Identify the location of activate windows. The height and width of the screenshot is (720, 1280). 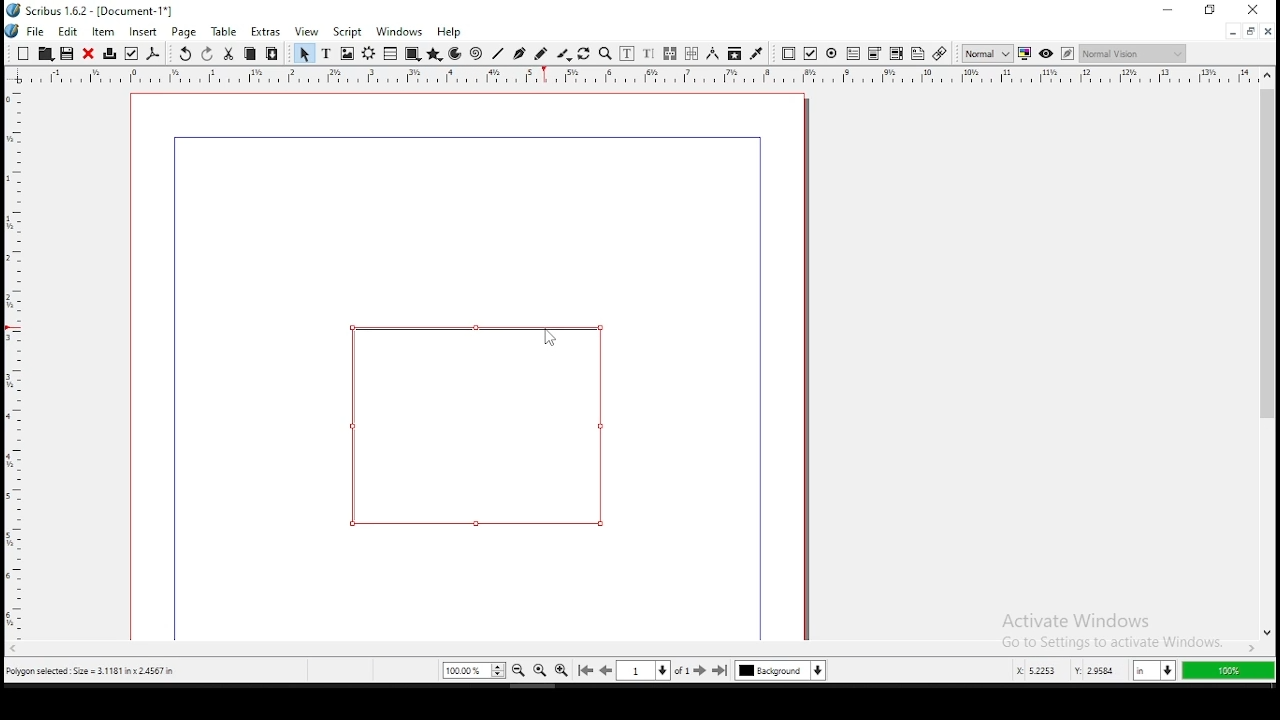
(1096, 619).